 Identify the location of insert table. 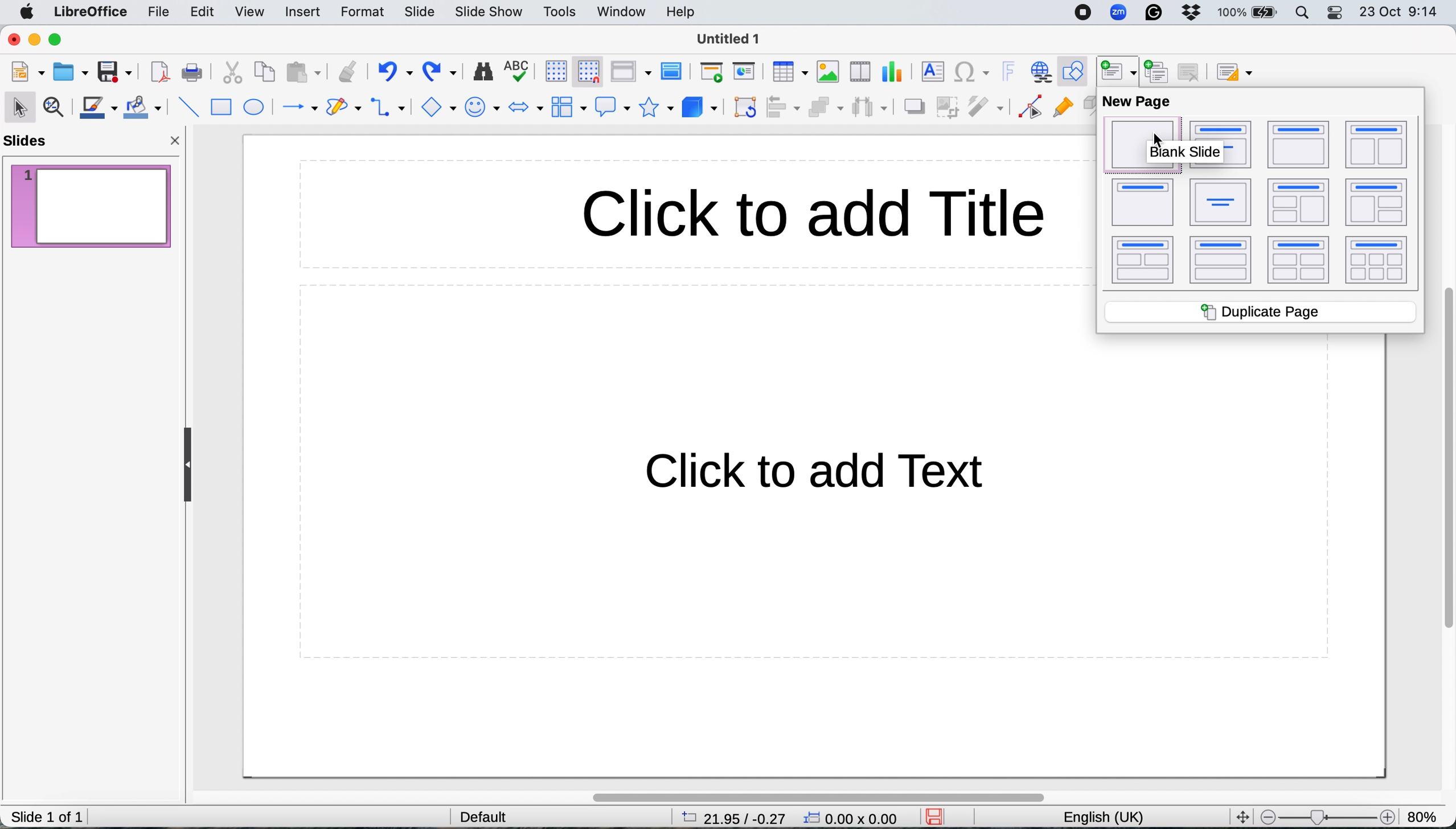
(790, 73).